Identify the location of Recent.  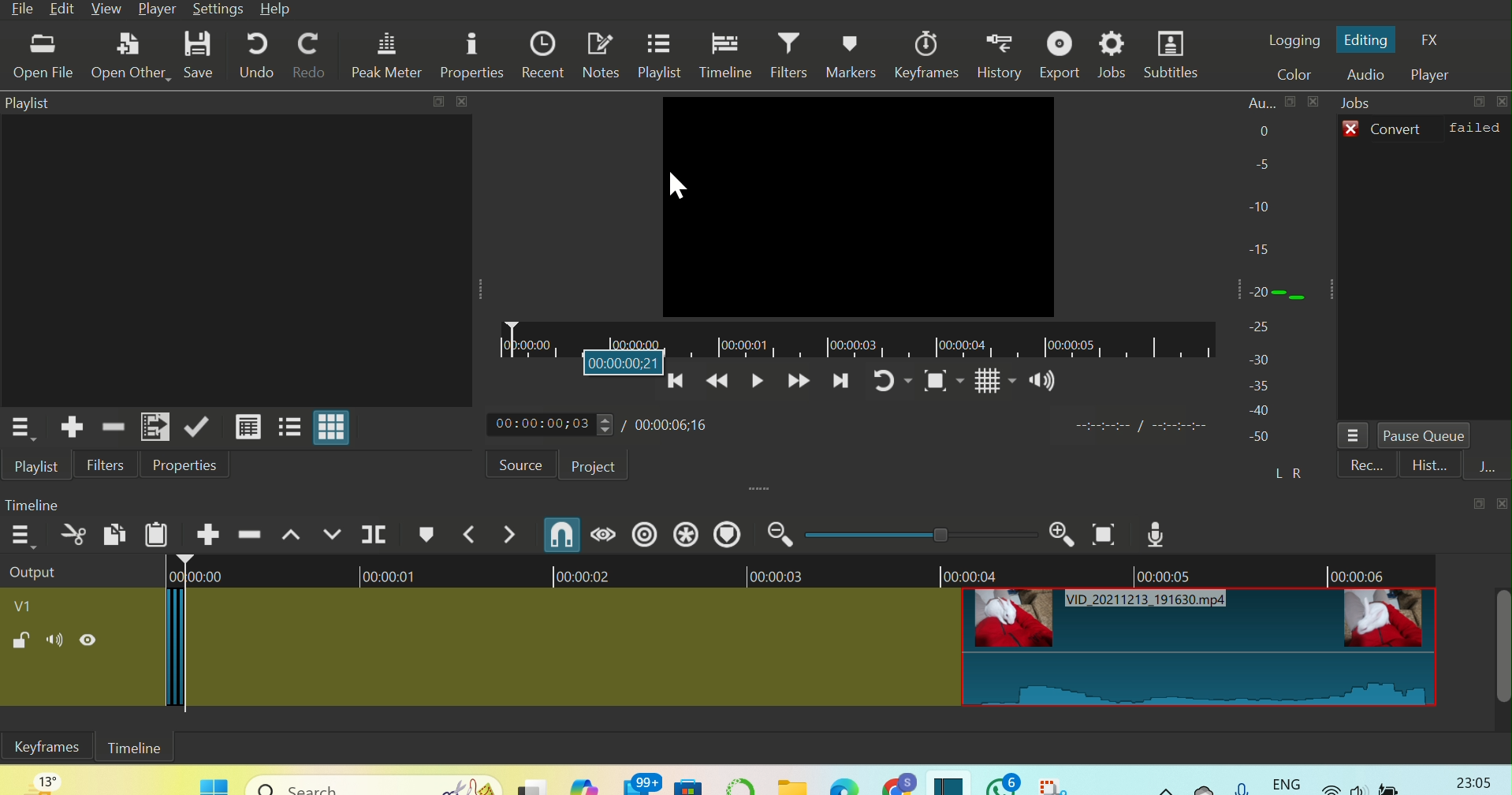
(1423, 465).